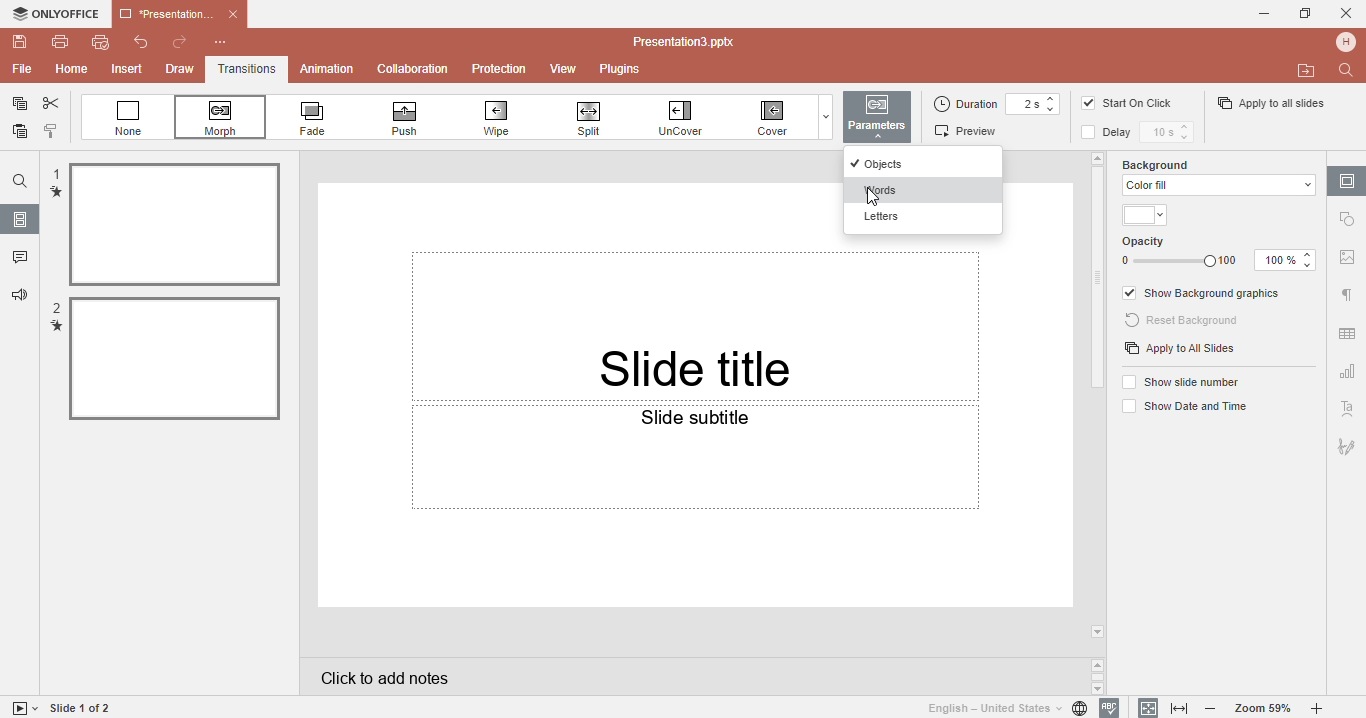 Image resolution: width=1366 pixels, height=718 pixels. I want to click on Image settings, so click(1347, 261).